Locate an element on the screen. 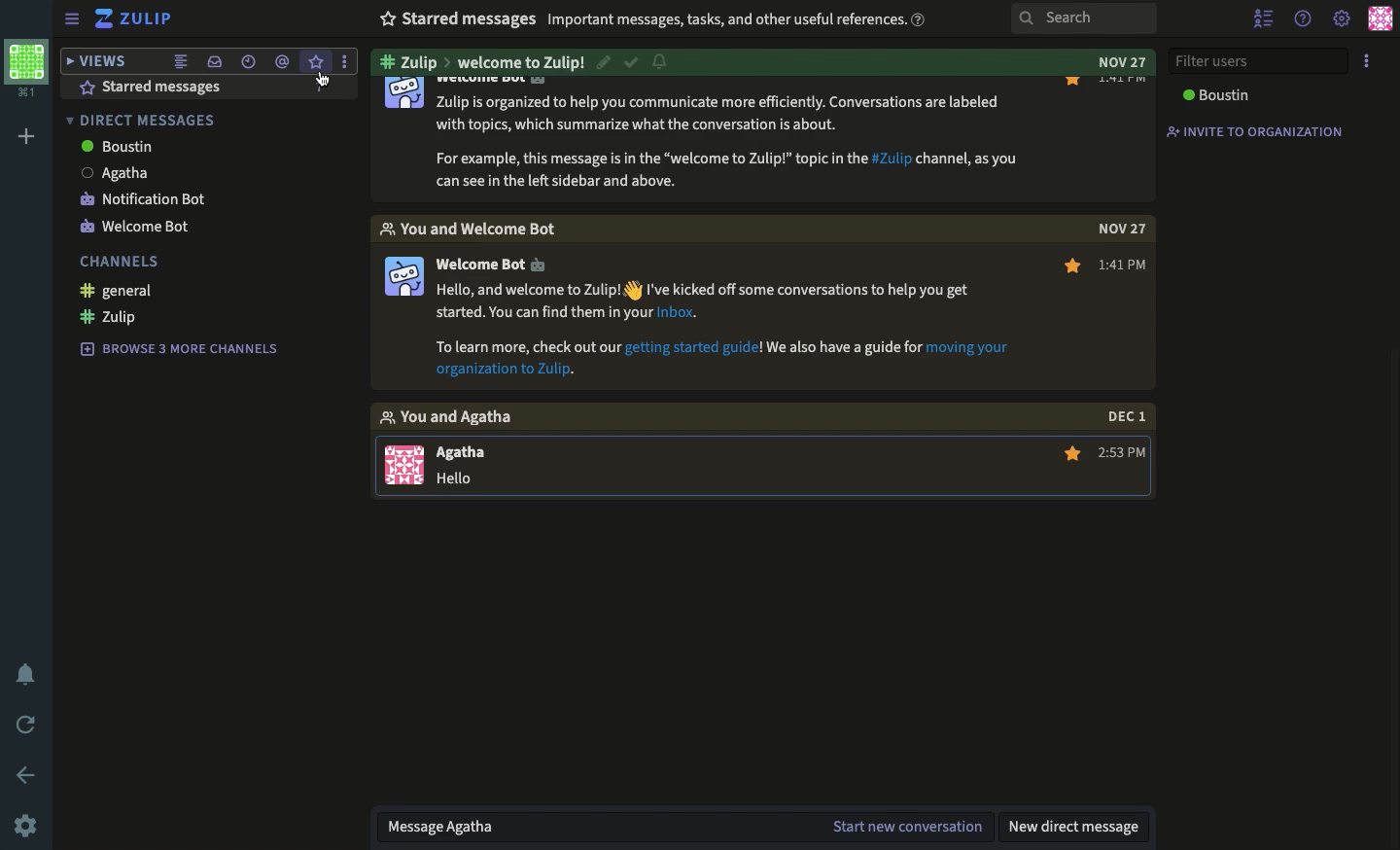 The height and width of the screenshot is (850, 1400). star is located at coordinates (1065, 268).